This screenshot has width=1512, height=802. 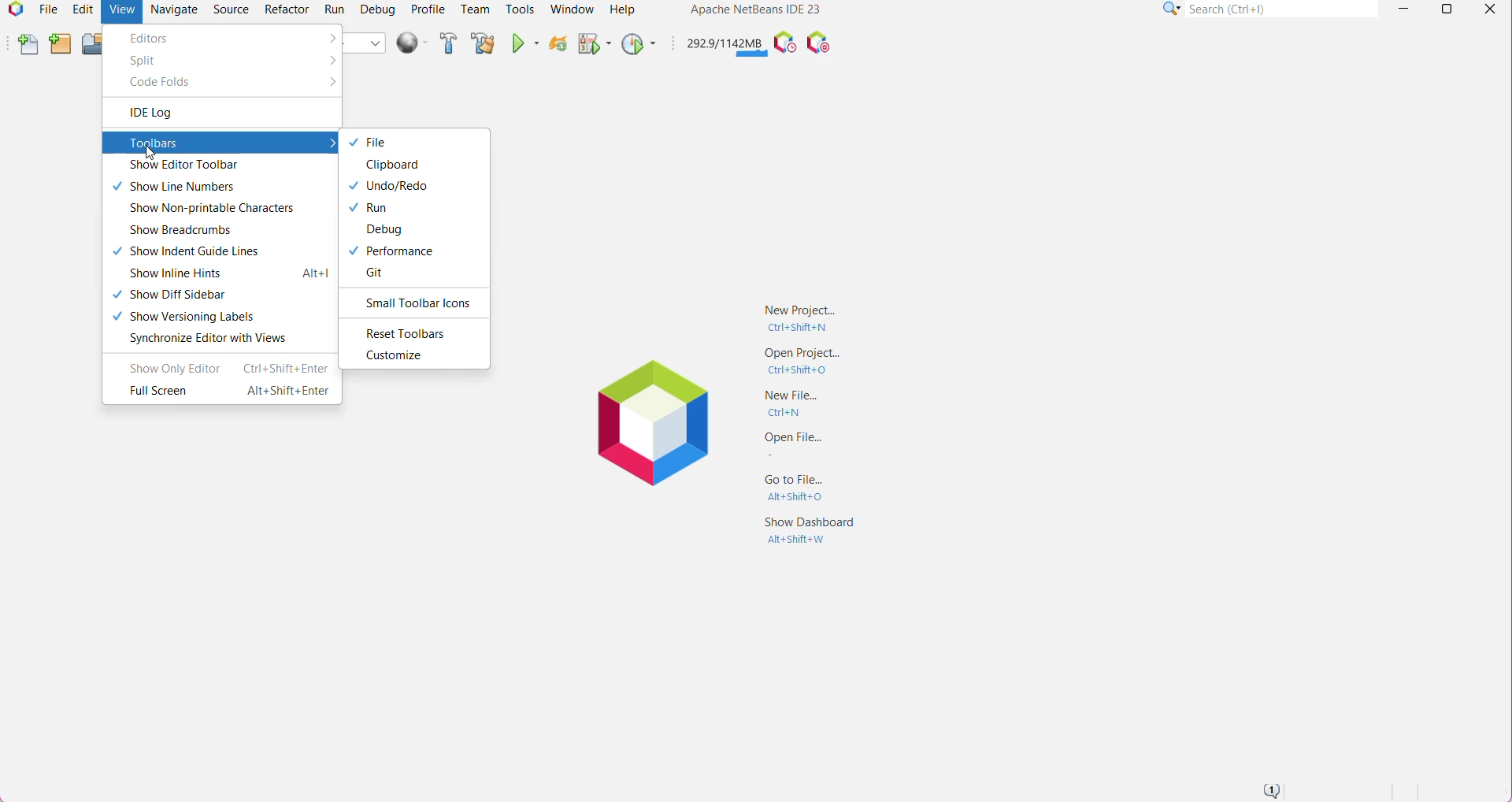 What do you see at coordinates (428, 9) in the screenshot?
I see `Profile` at bounding box center [428, 9].